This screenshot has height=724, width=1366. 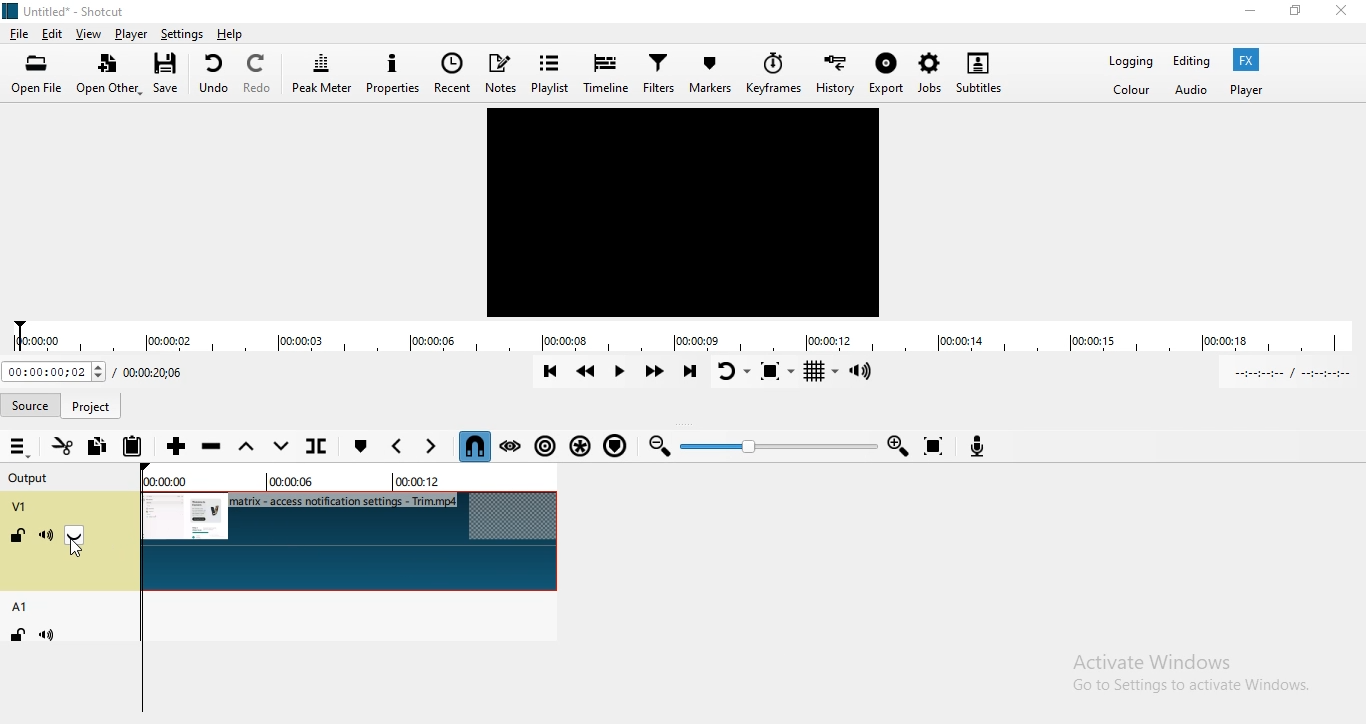 I want to click on Source , so click(x=93, y=403).